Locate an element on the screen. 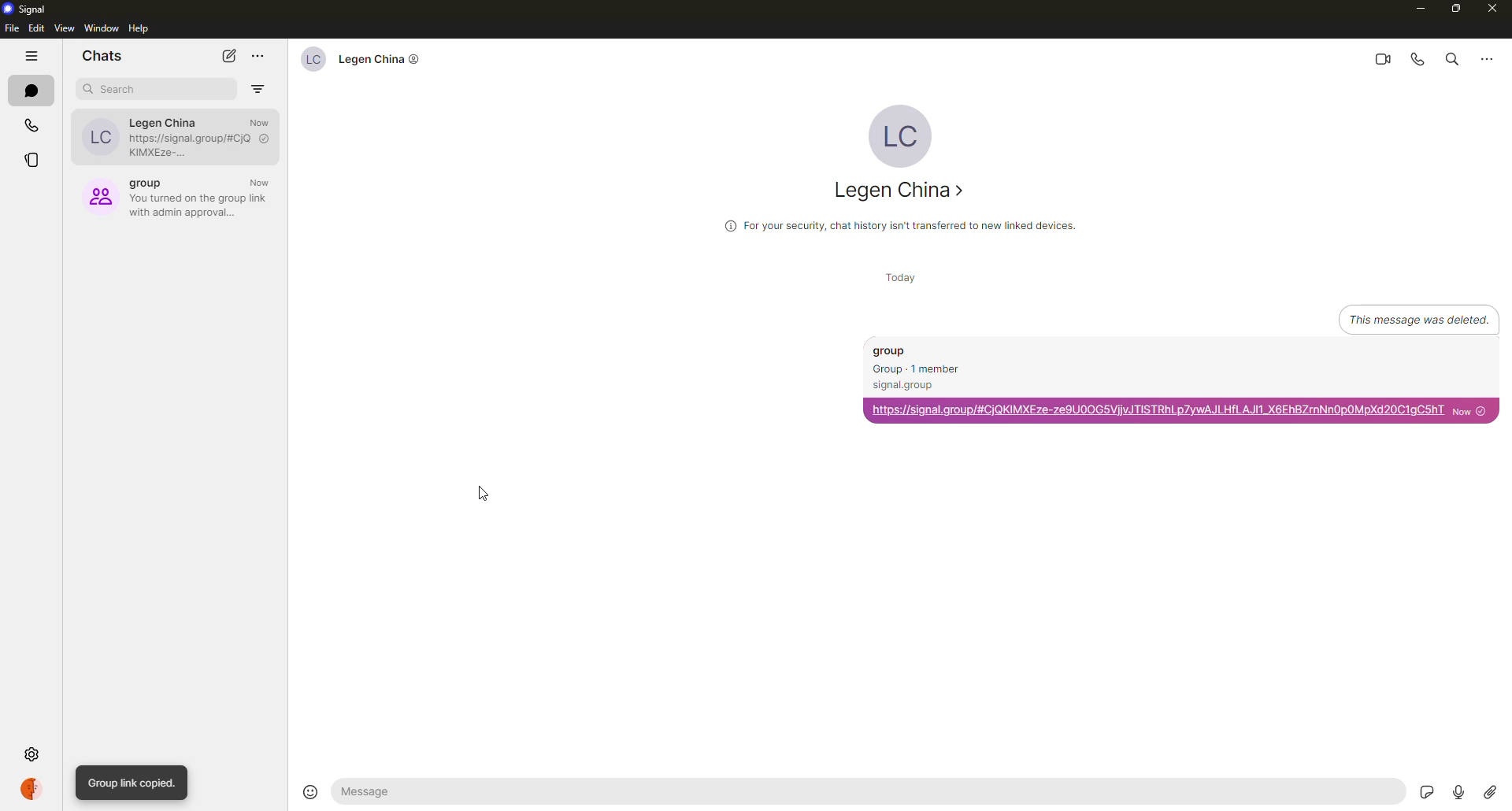 This screenshot has height=811, width=1512. record is located at coordinates (1461, 791).